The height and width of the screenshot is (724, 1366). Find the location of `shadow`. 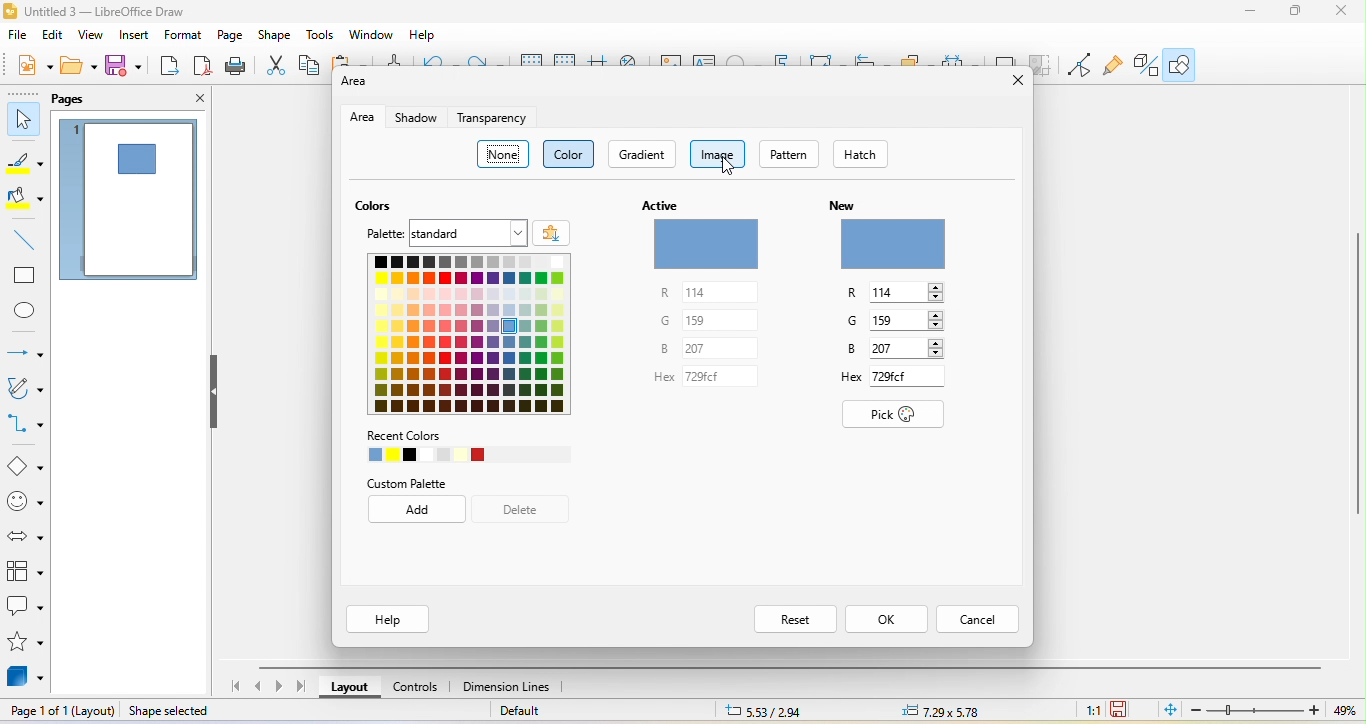

shadow is located at coordinates (414, 118).